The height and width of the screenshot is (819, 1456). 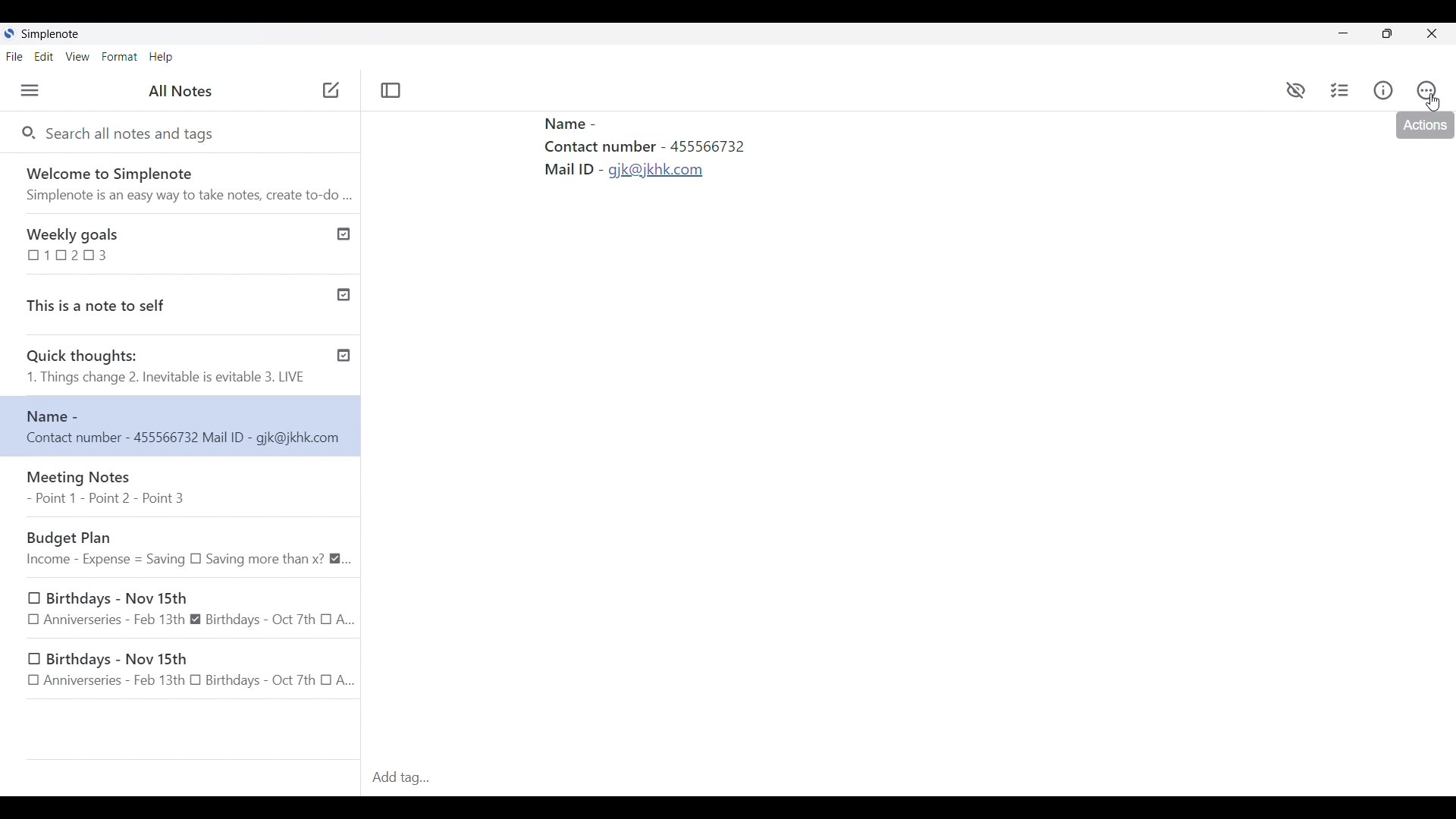 I want to click on Insert checklist, so click(x=1341, y=90).